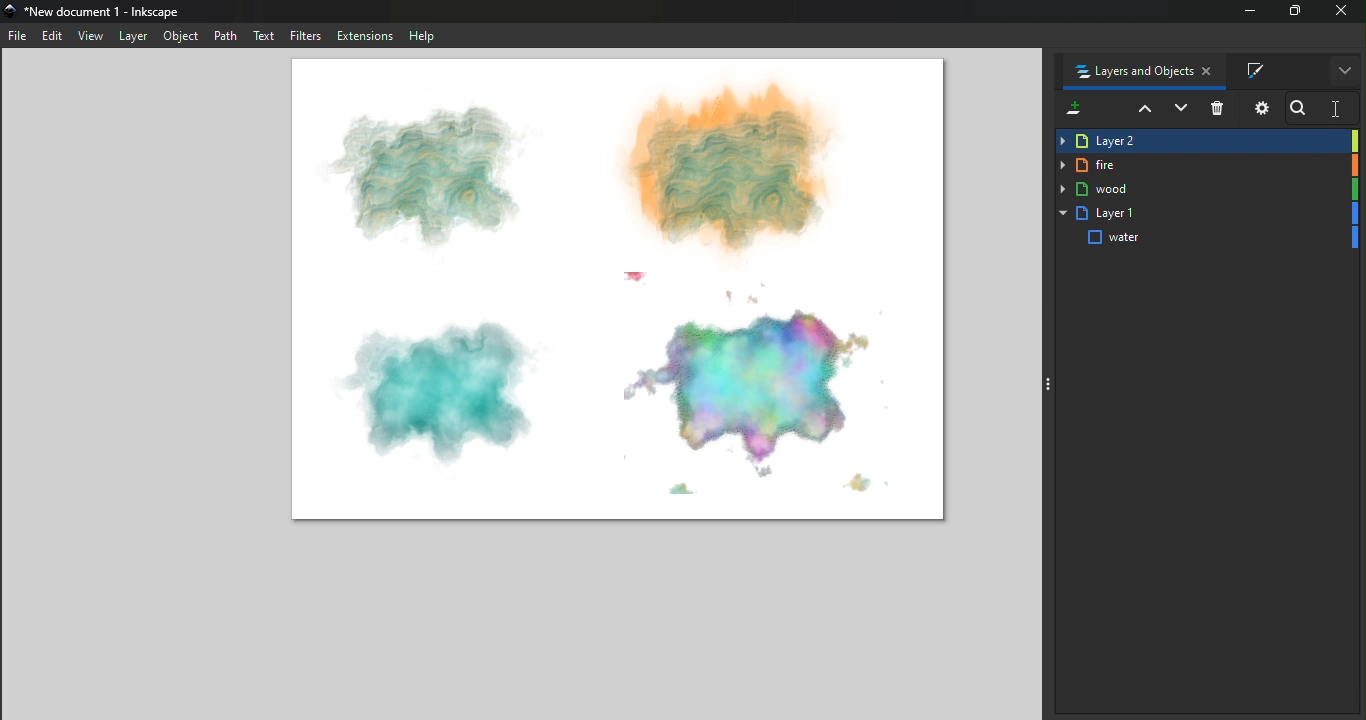 The height and width of the screenshot is (720, 1366). Describe the element at coordinates (11, 11) in the screenshot. I see `app icon` at that location.